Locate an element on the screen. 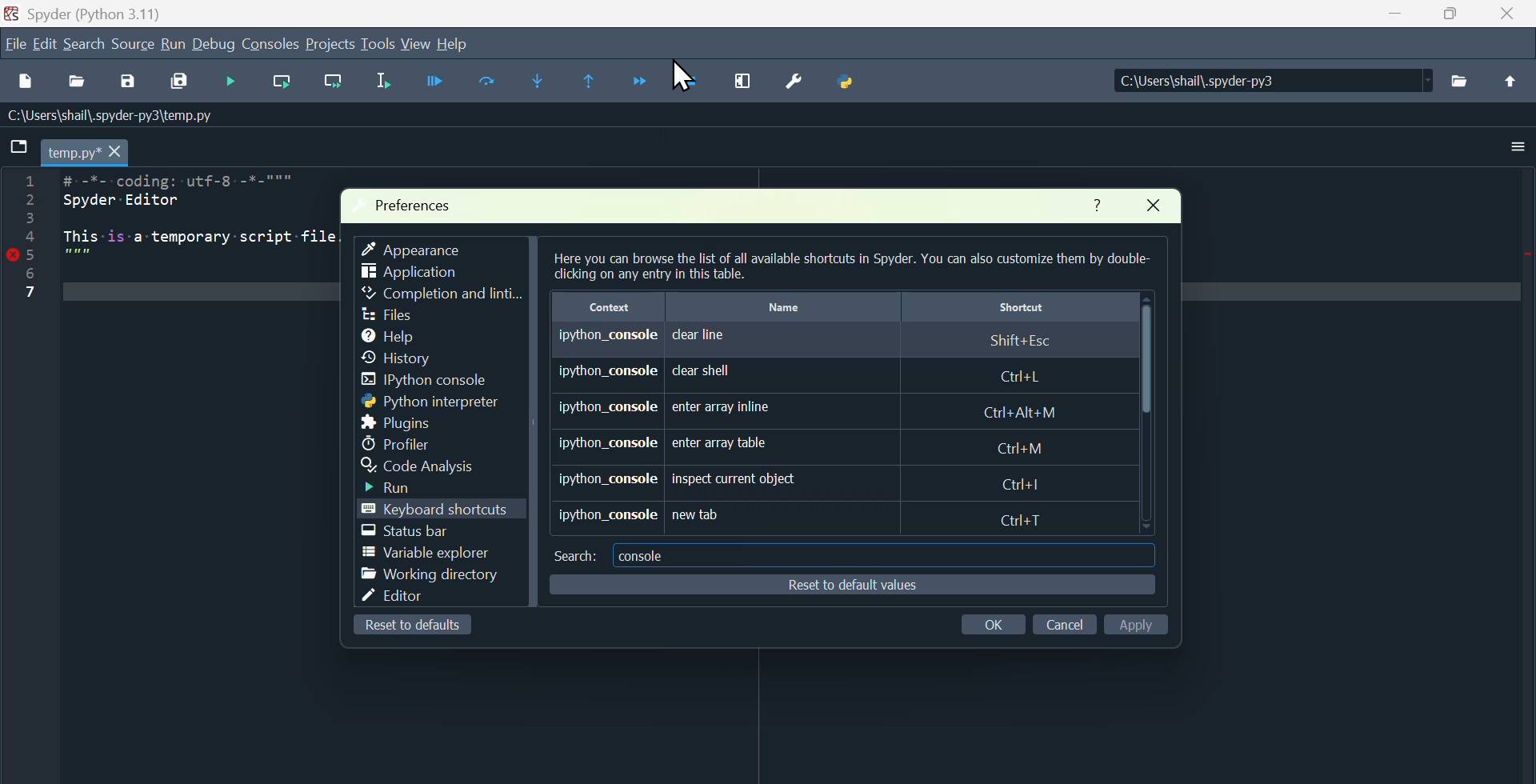 The height and width of the screenshot is (784, 1536). Run cell is located at coordinates (486, 83).